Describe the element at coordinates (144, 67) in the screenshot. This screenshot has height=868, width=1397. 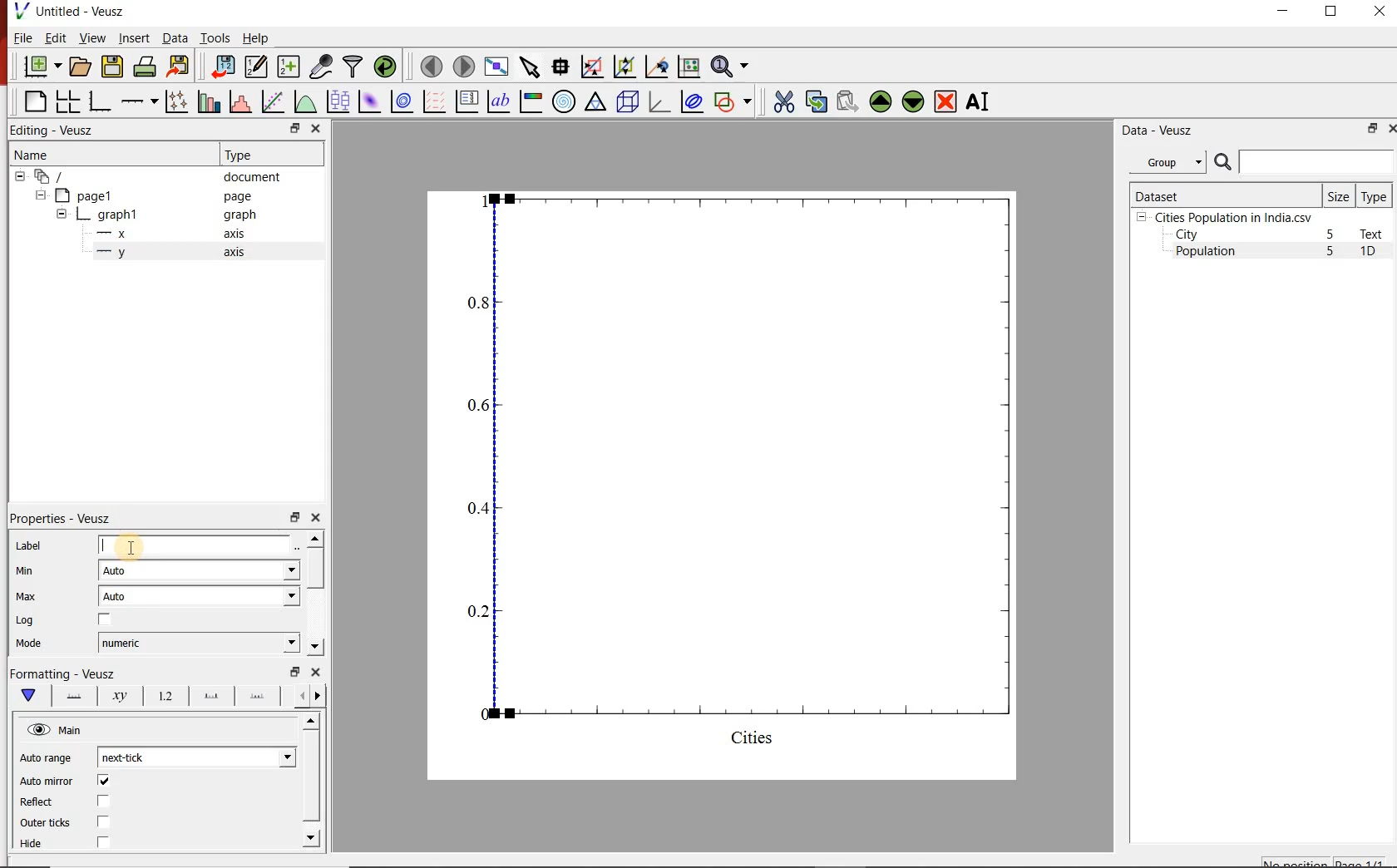
I see `print the document` at that location.